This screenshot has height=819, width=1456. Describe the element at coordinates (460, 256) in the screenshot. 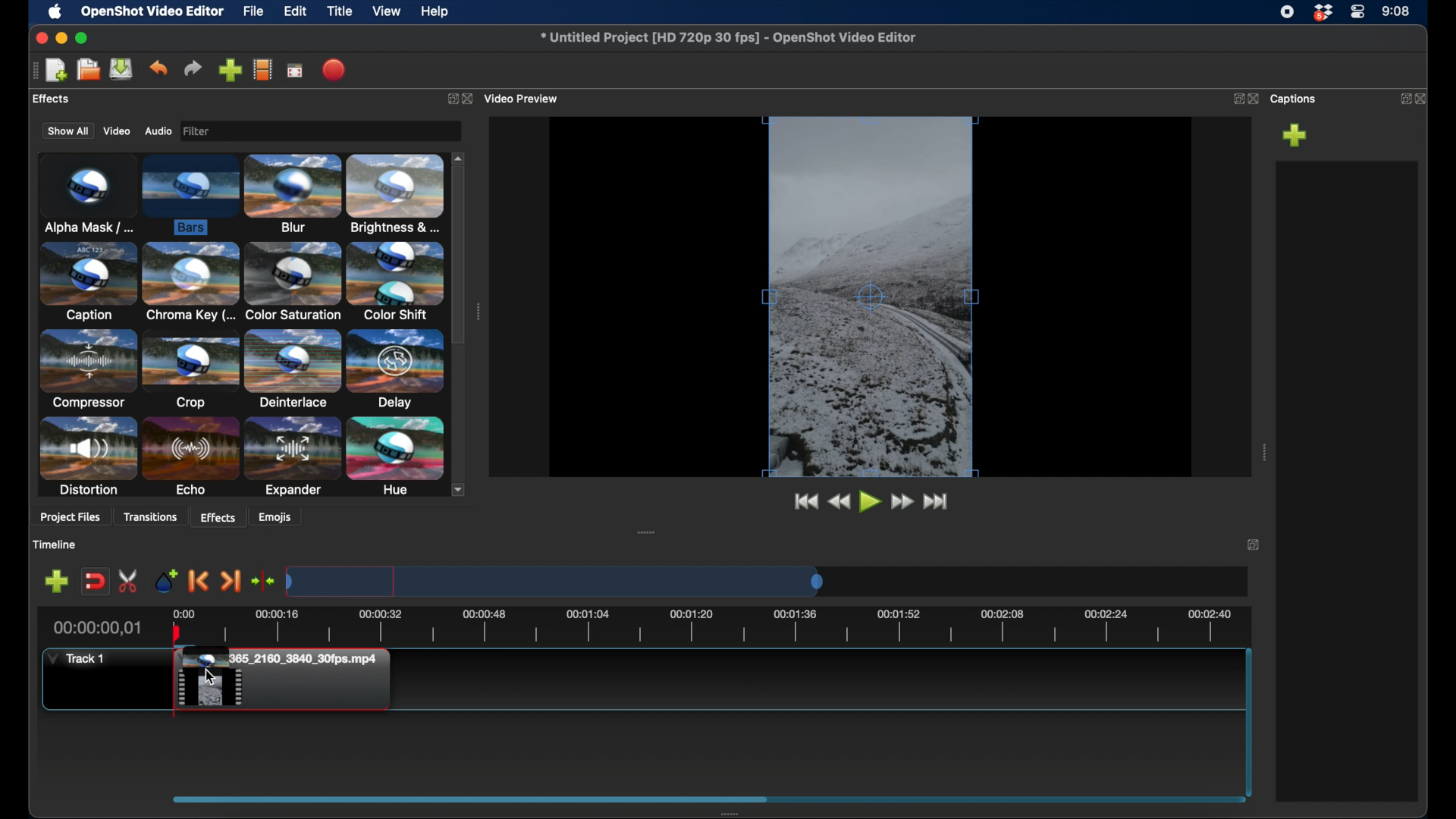

I see `scroll box` at that location.